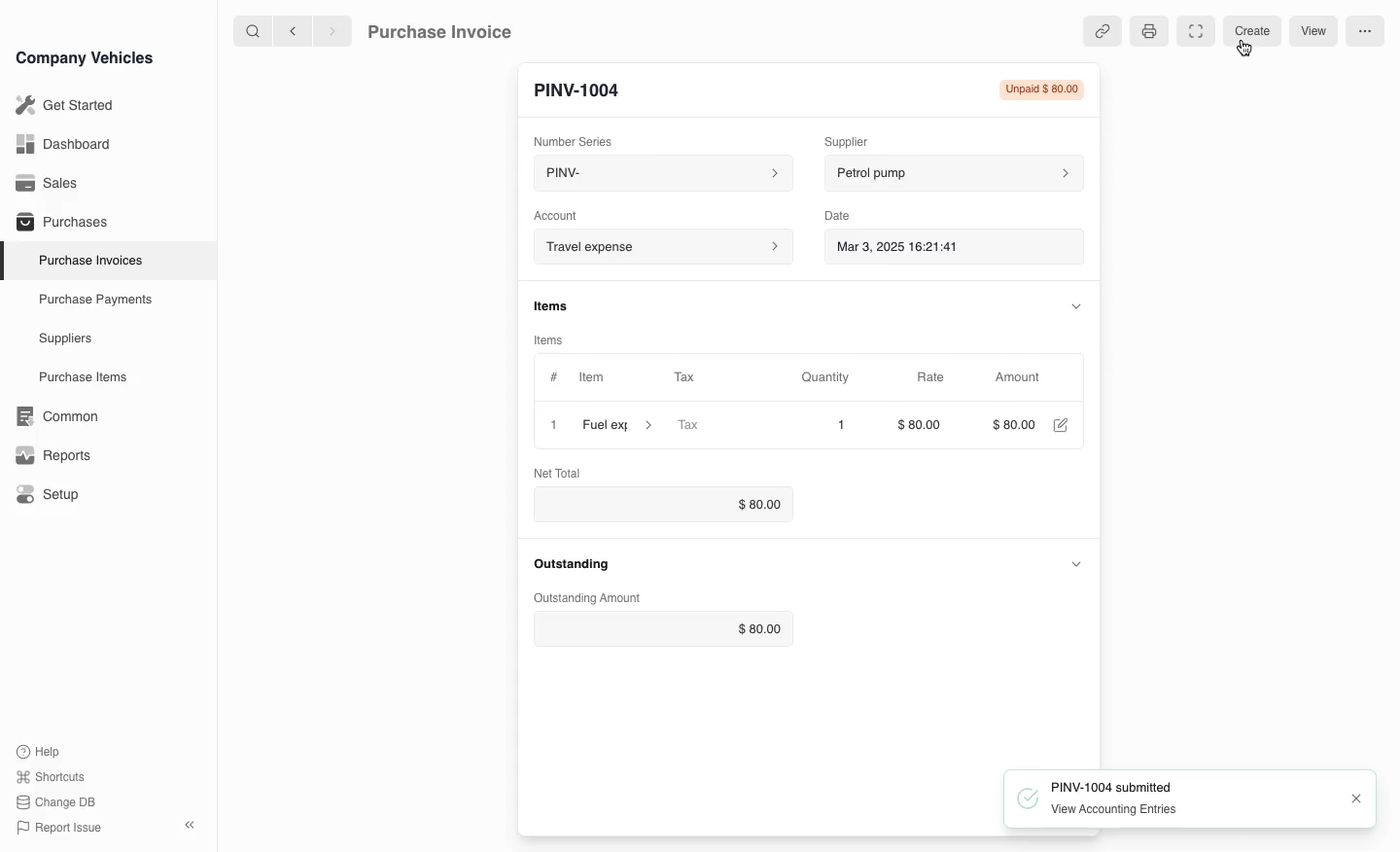  I want to click on Dashboard, so click(62, 144).